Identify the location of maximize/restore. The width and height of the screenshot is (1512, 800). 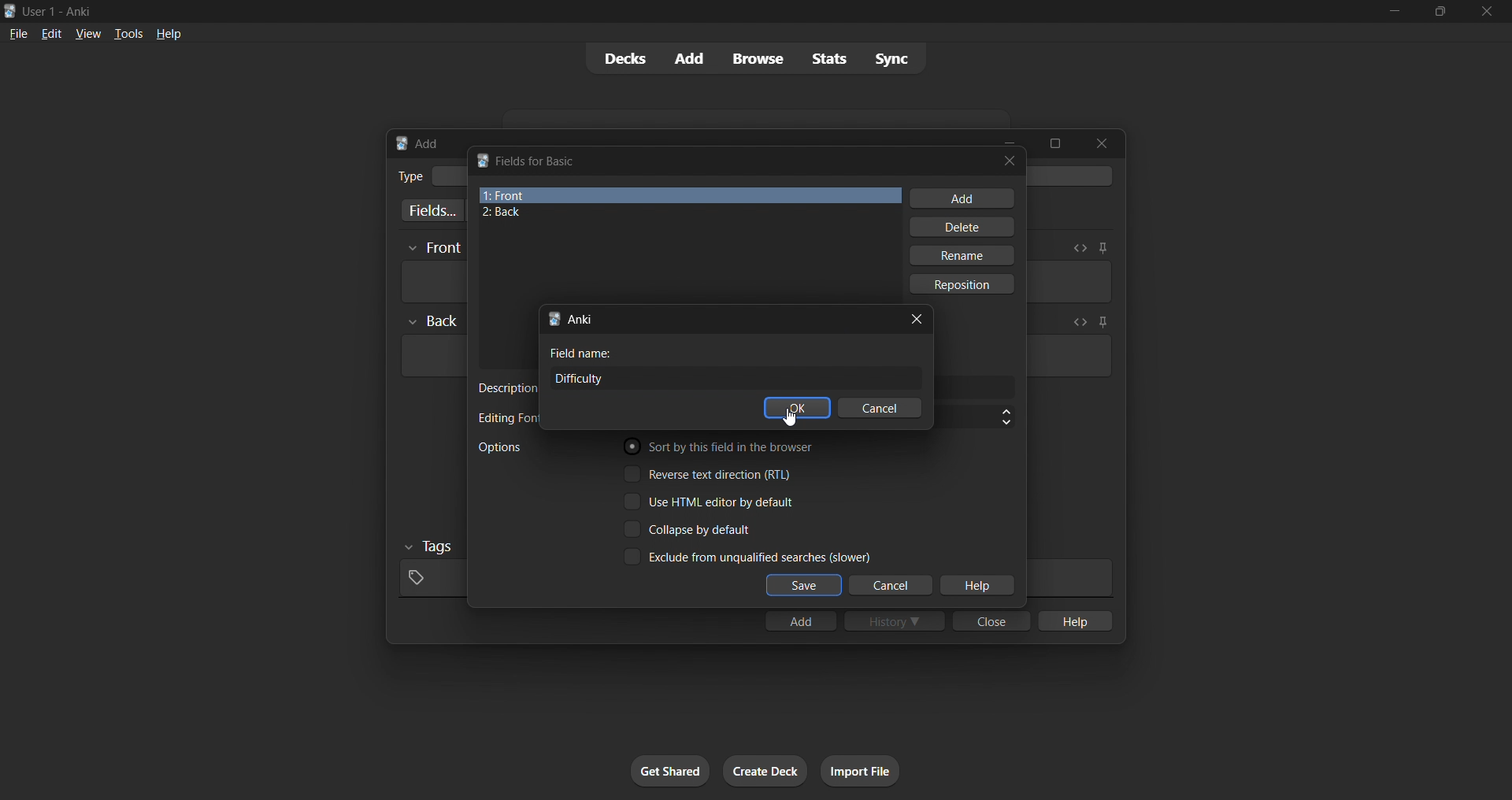
(1440, 12).